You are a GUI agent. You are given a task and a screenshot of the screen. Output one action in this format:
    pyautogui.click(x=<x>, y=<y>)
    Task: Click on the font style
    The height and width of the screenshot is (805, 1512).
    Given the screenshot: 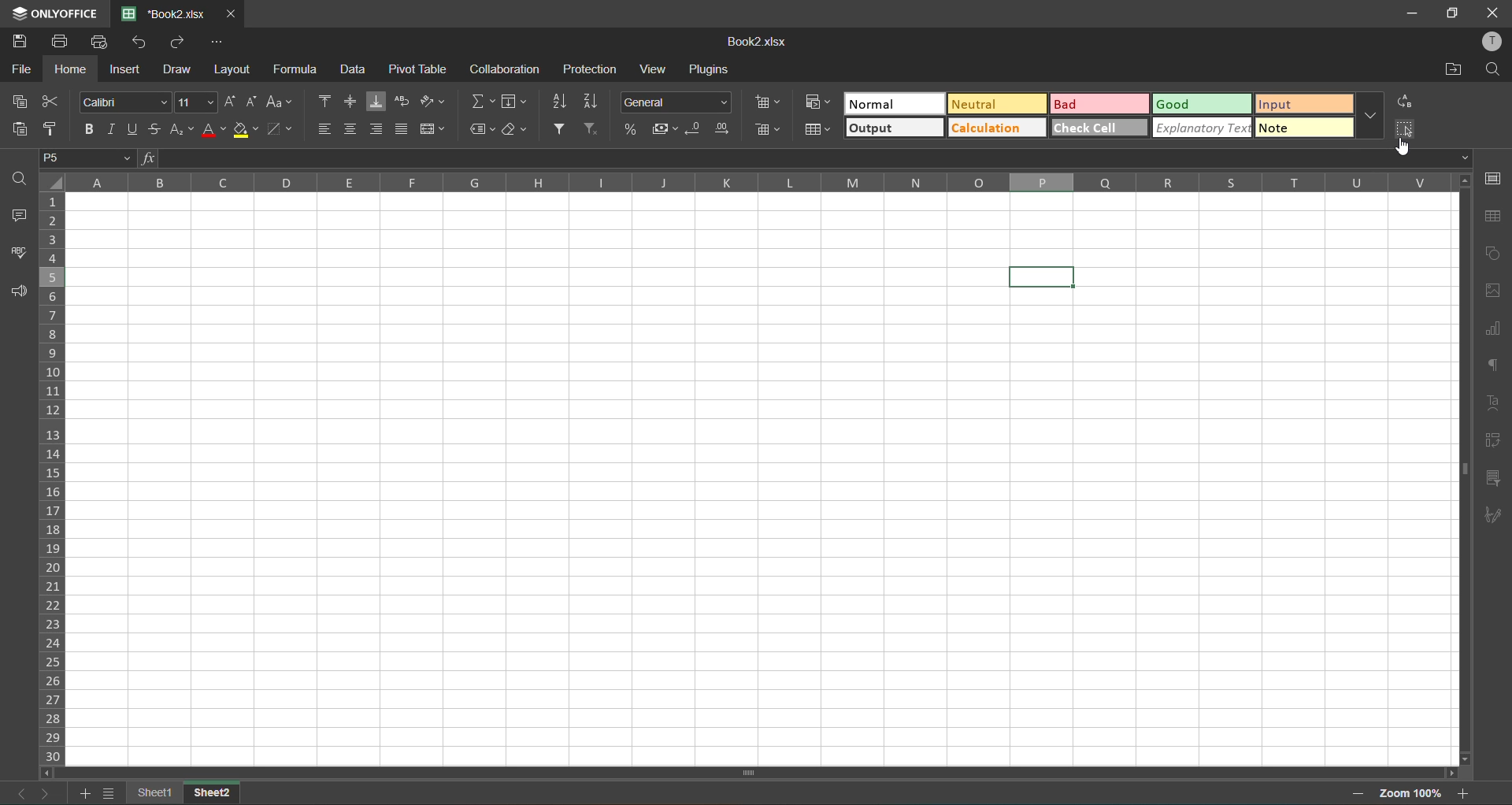 What is the action you would take?
    pyautogui.click(x=126, y=103)
    